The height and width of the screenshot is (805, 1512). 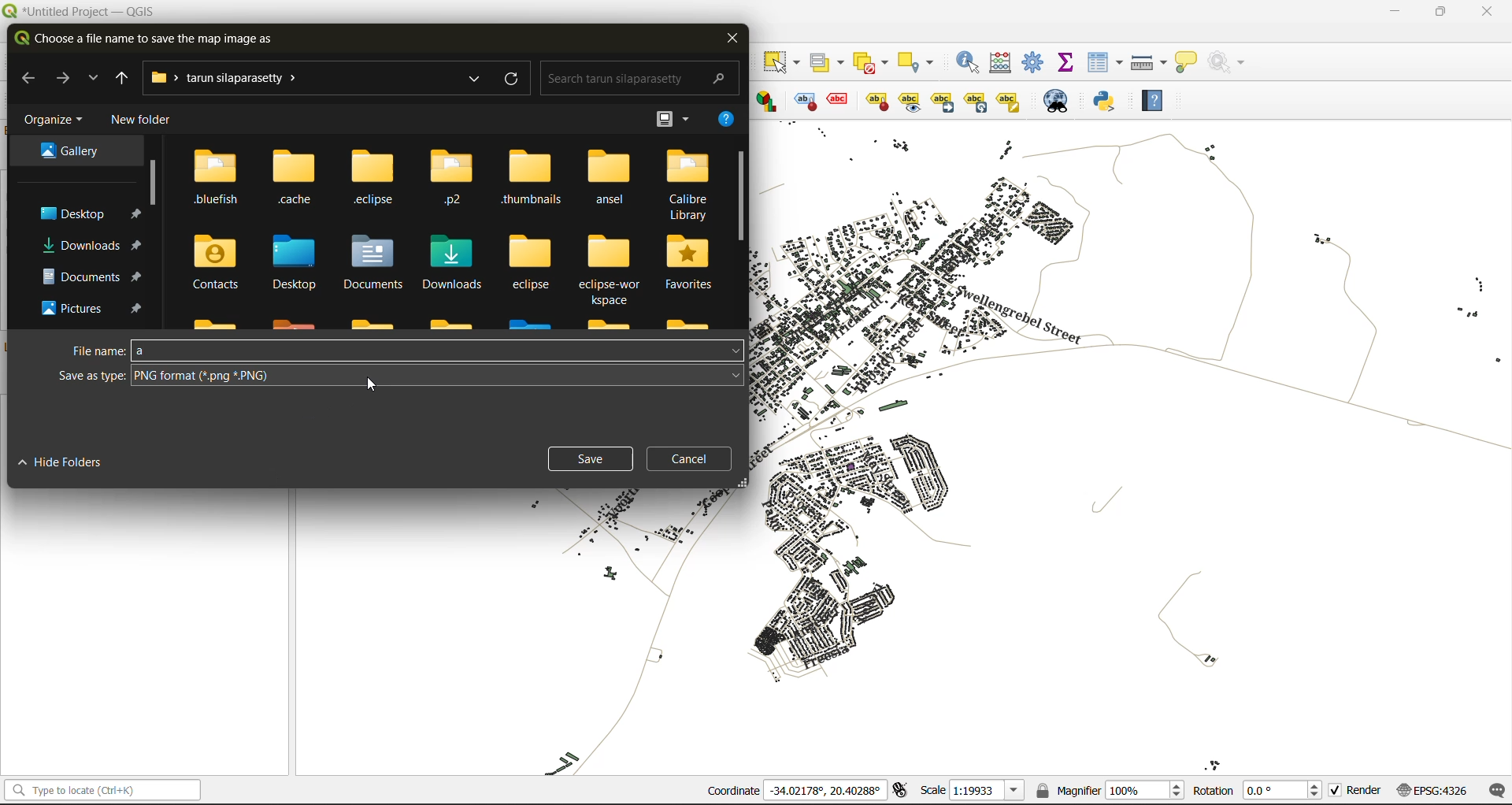 I want to click on measure line, so click(x=1149, y=61).